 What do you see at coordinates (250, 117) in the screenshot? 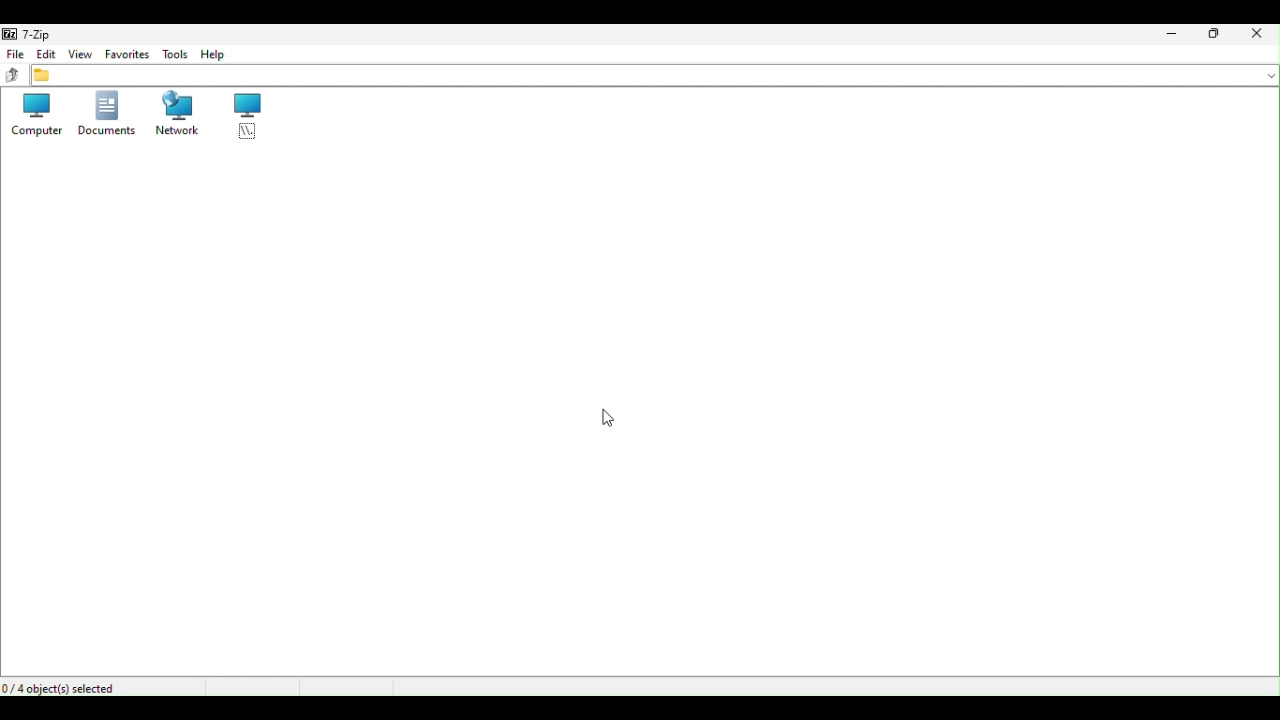
I see `root` at bounding box center [250, 117].